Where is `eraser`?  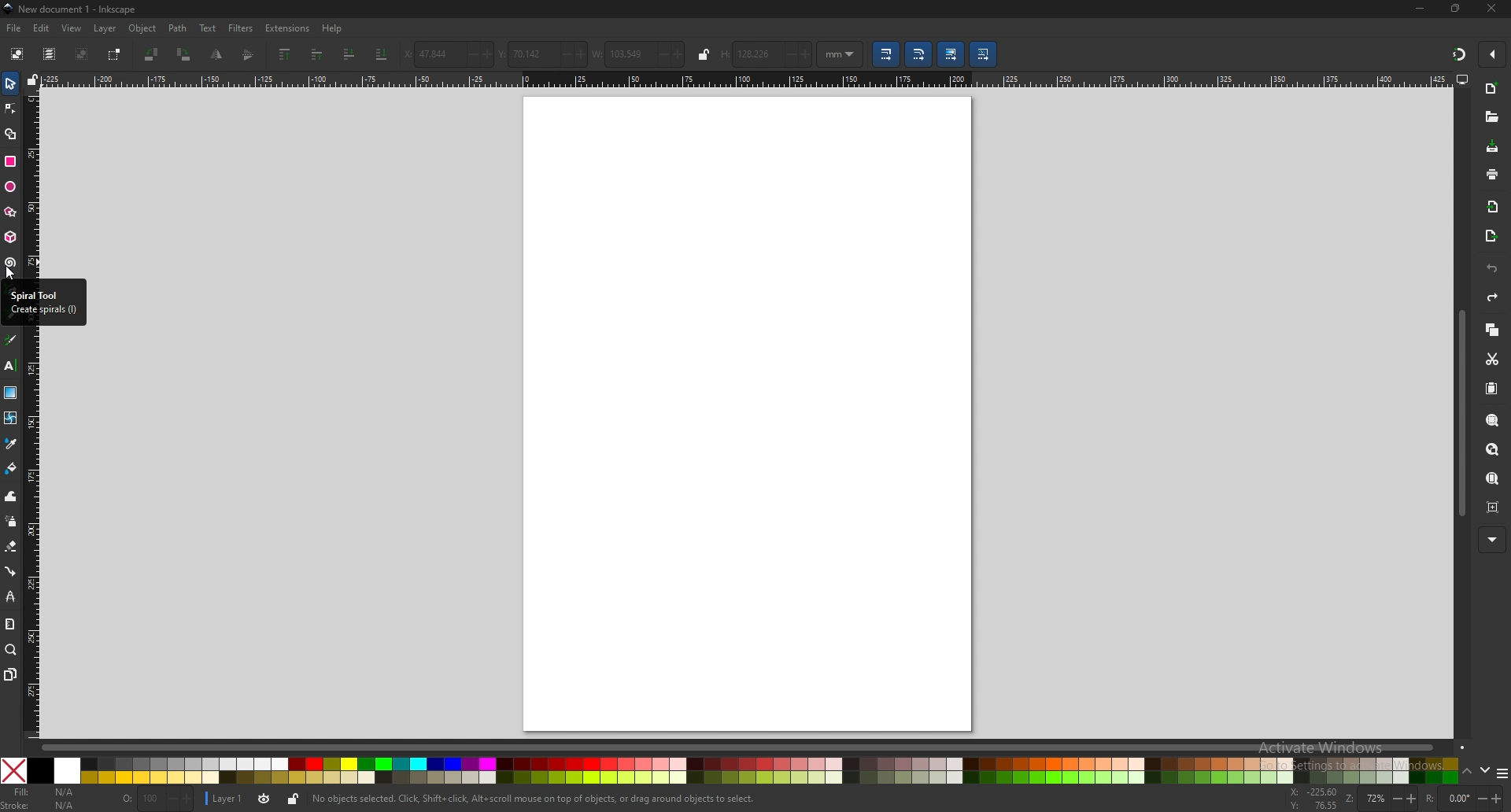
eraser is located at coordinates (11, 547).